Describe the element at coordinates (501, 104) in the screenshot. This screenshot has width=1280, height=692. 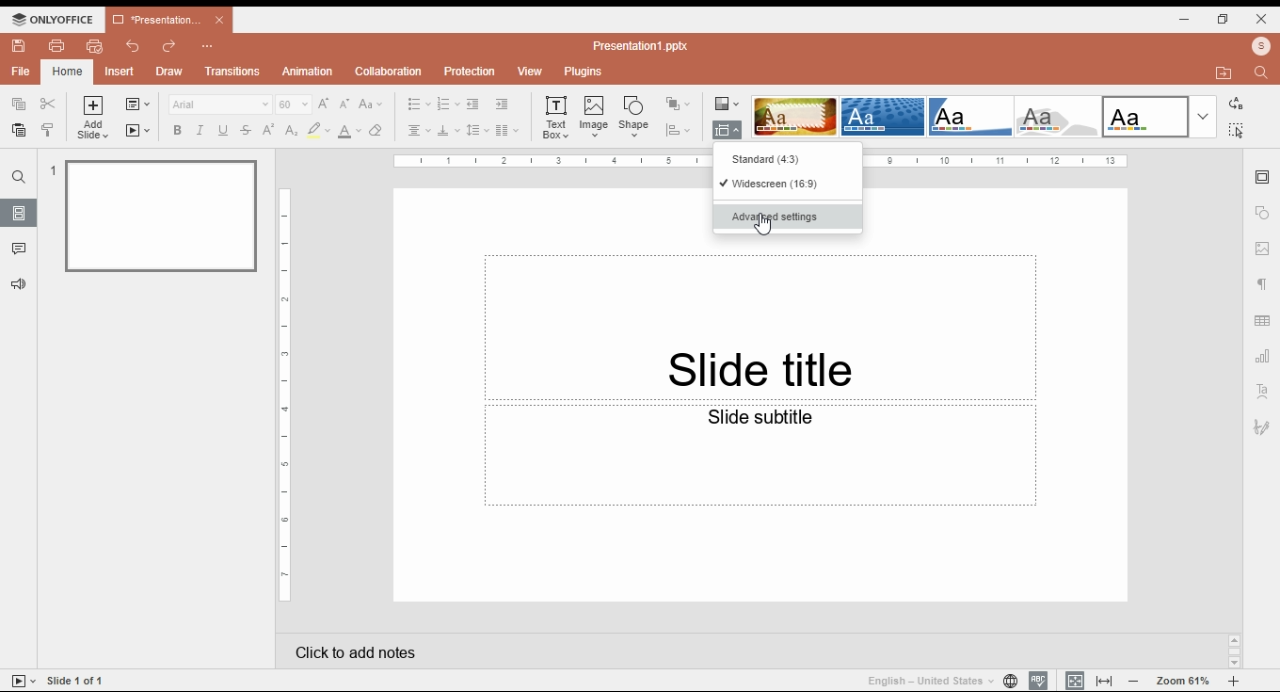
I see `increase indent` at that location.